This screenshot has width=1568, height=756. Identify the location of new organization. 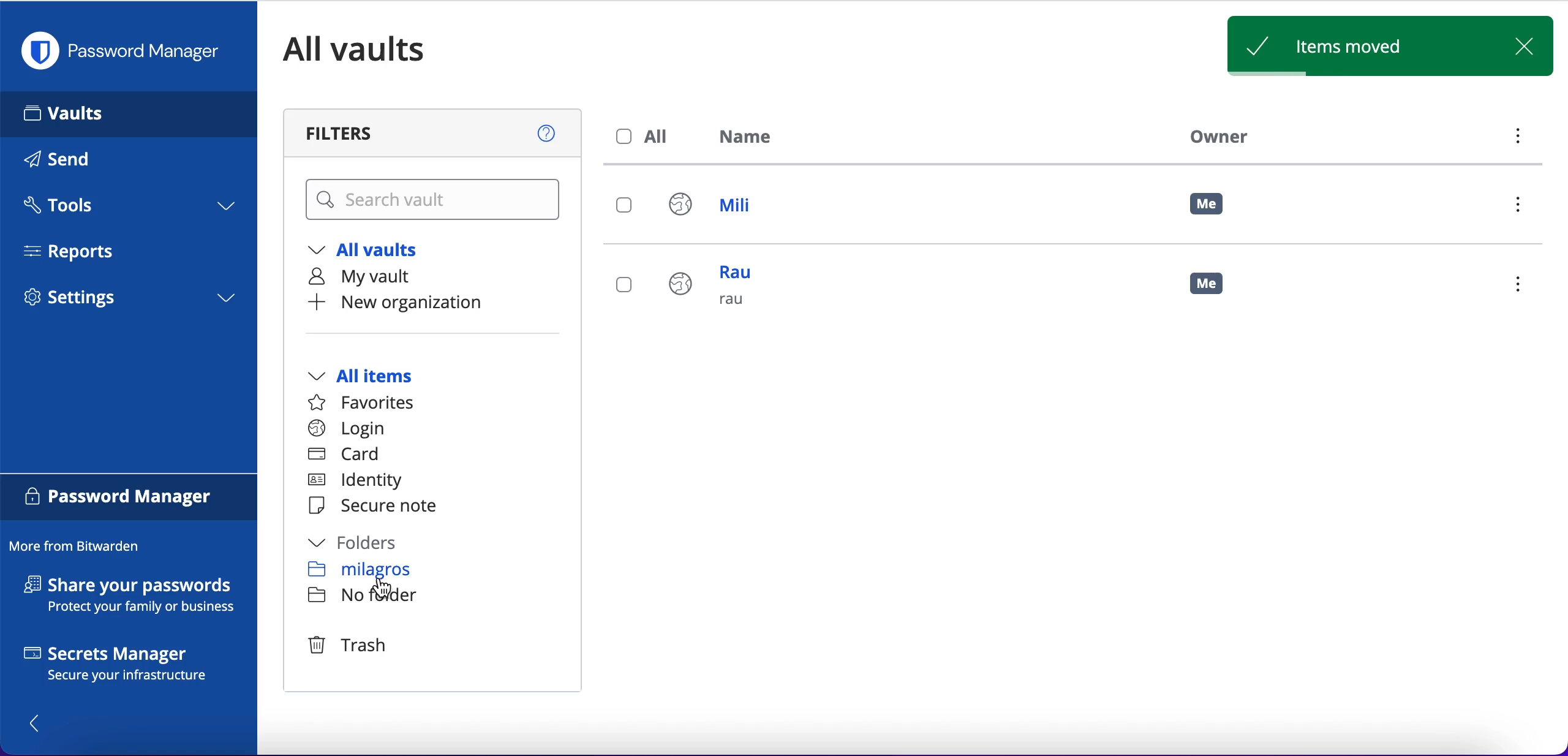
(421, 303).